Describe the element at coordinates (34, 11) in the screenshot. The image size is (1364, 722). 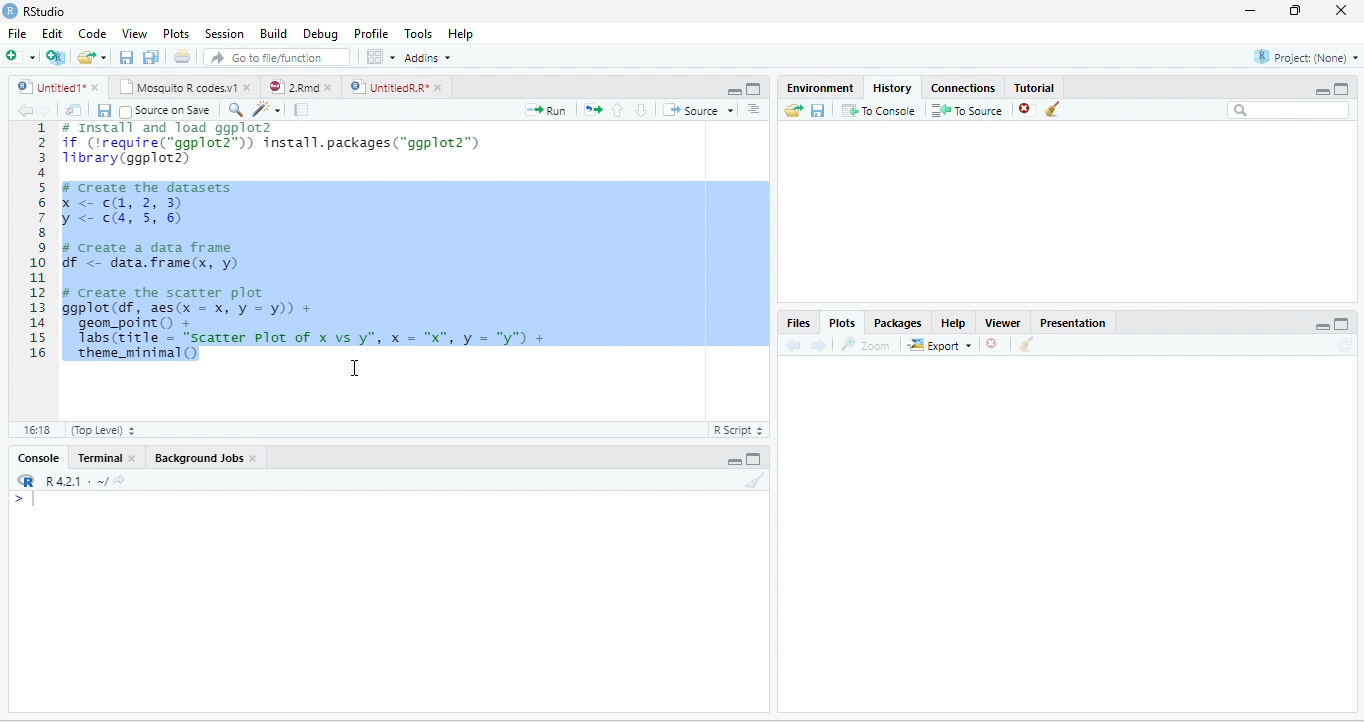
I see `RStudio` at that location.